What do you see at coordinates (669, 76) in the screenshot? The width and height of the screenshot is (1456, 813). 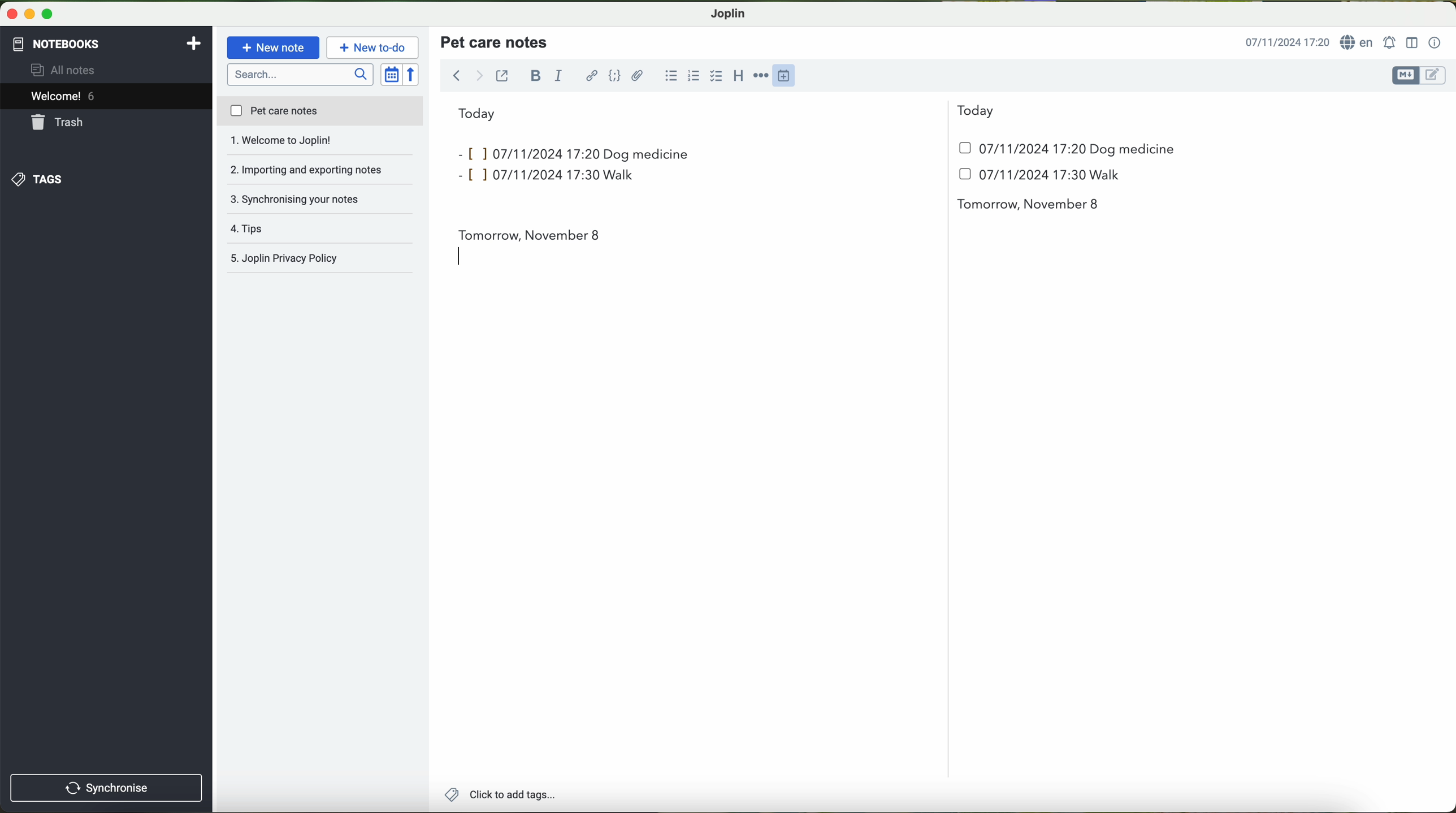 I see `bulleted list` at bounding box center [669, 76].